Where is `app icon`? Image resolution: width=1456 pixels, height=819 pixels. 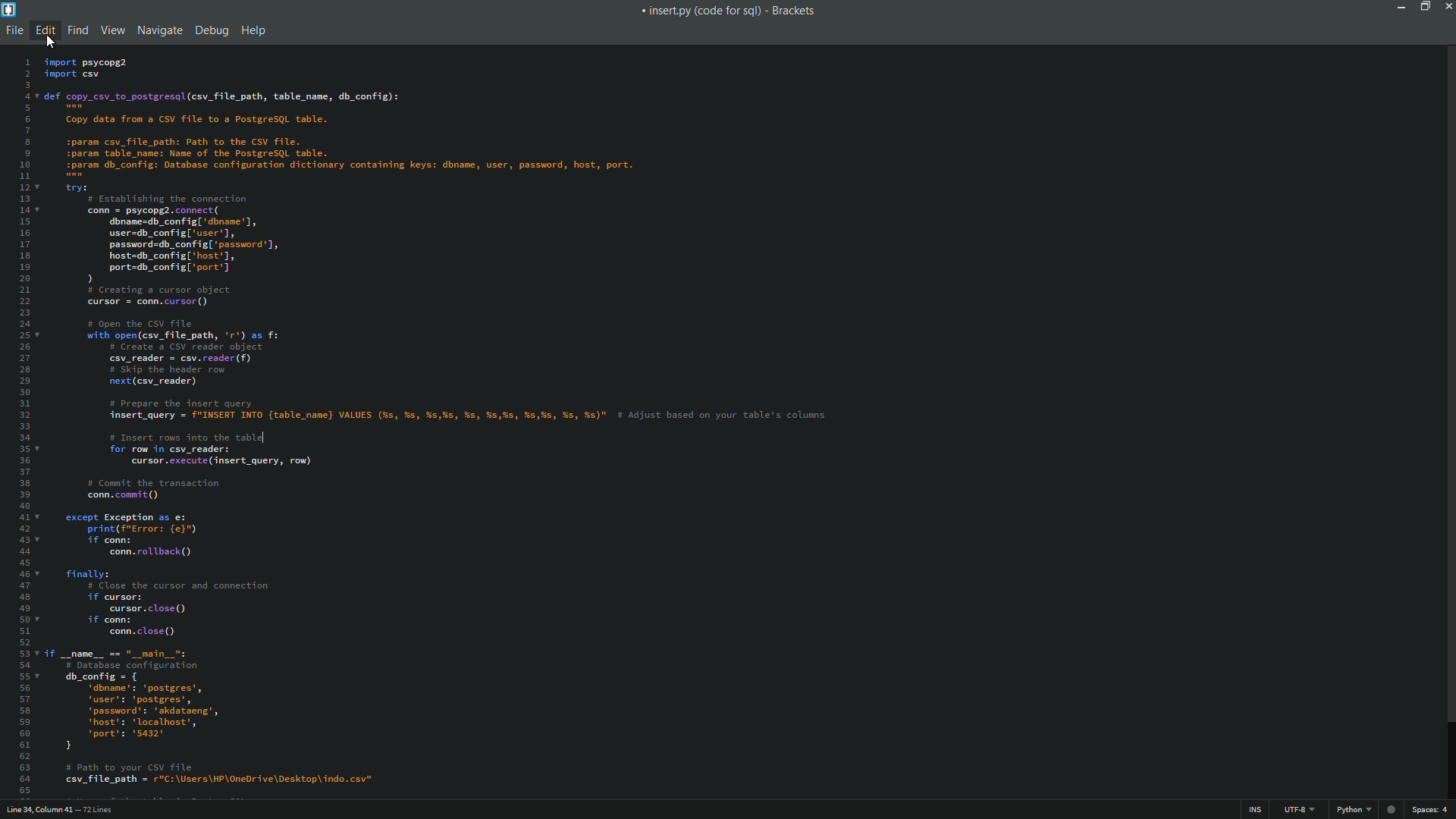 app icon is located at coordinates (9, 10).